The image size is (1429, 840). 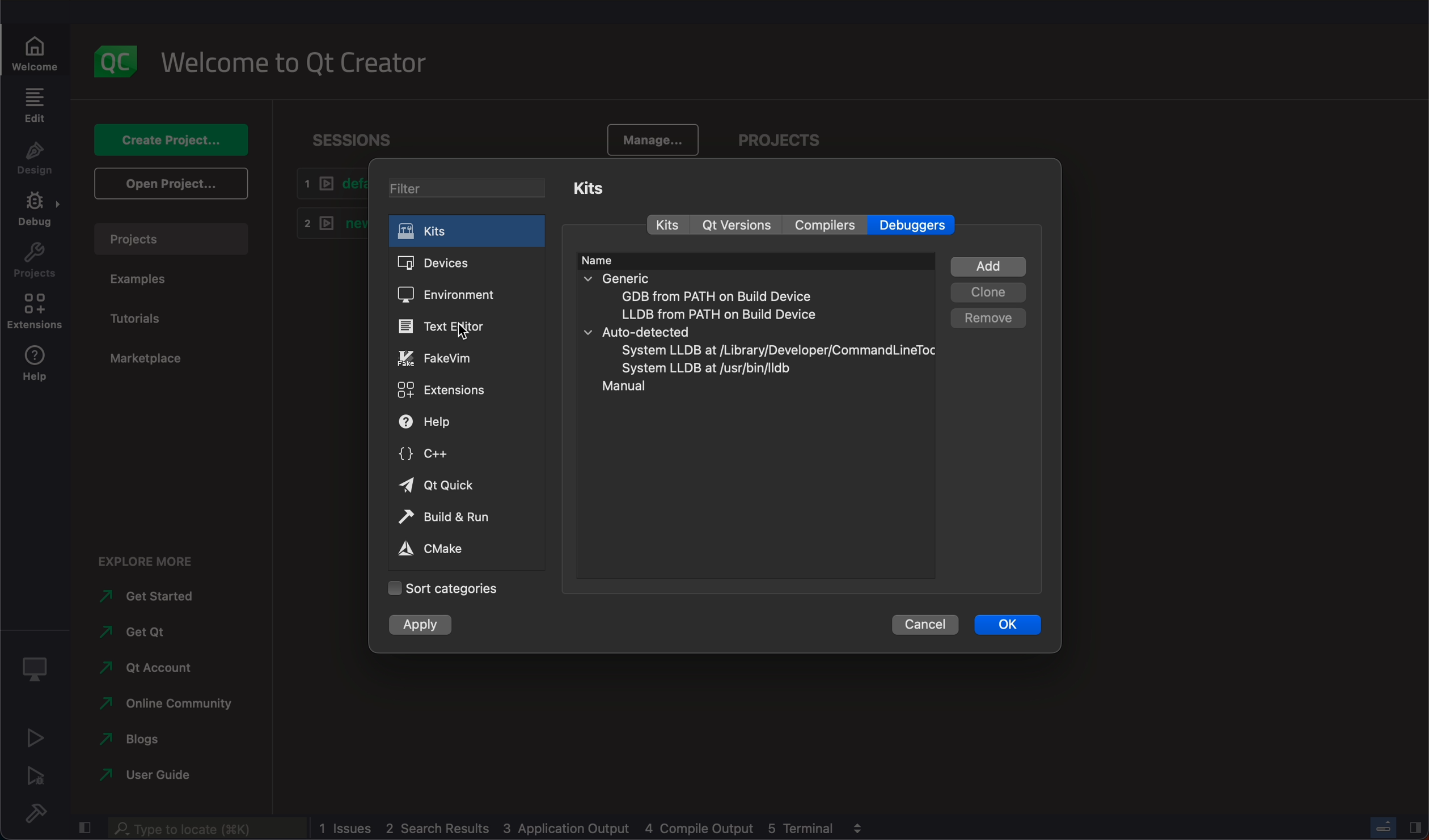 I want to click on debug, so click(x=34, y=213).